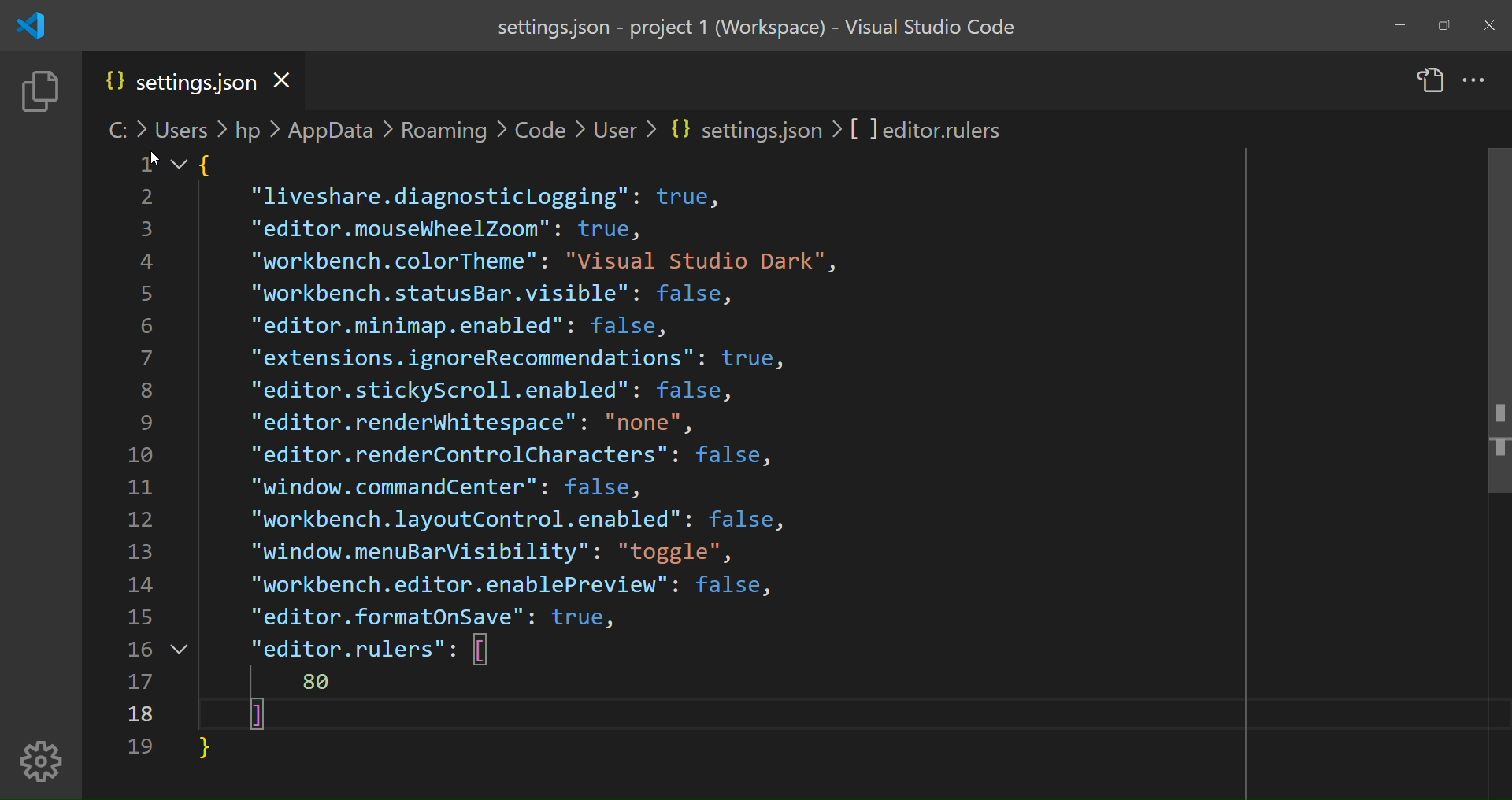 This screenshot has width=1512, height=800. Describe the element at coordinates (41, 761) in the screenshot. I see `manage` at that location.